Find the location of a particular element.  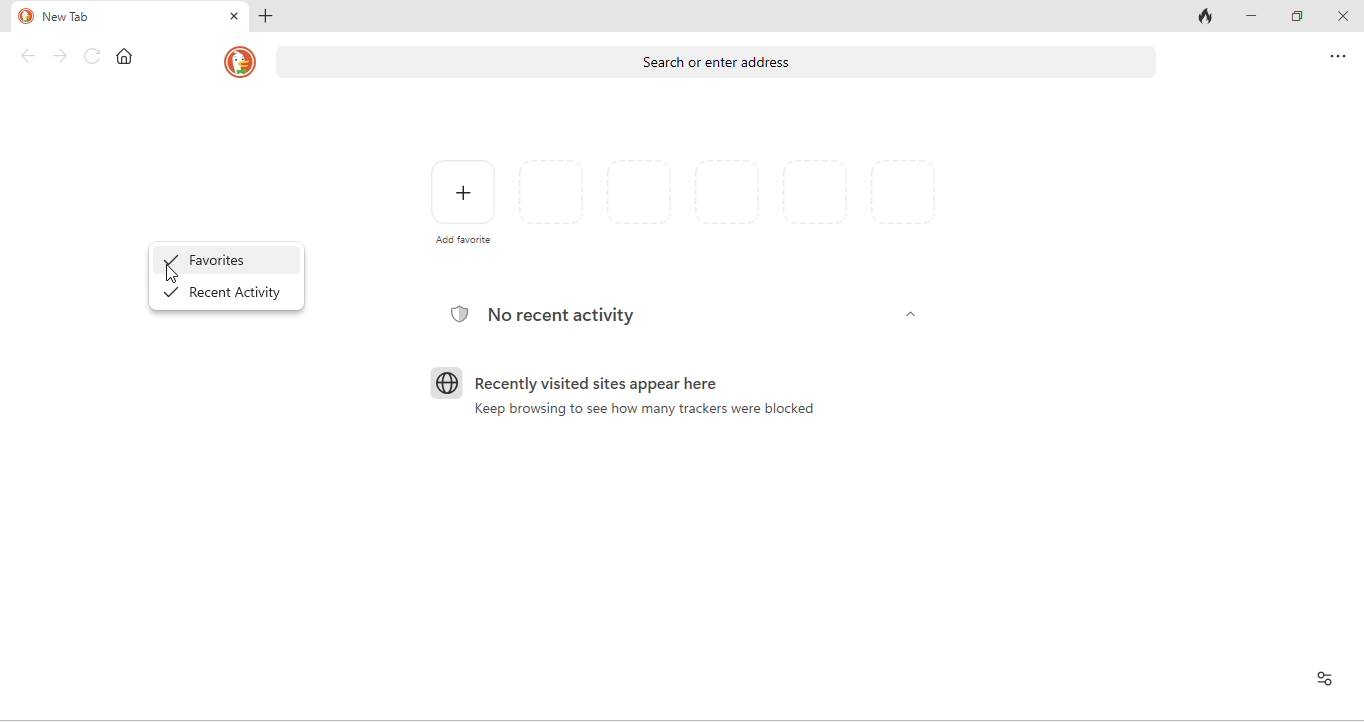

duck duck go logo is located at coordinates (25, 17).